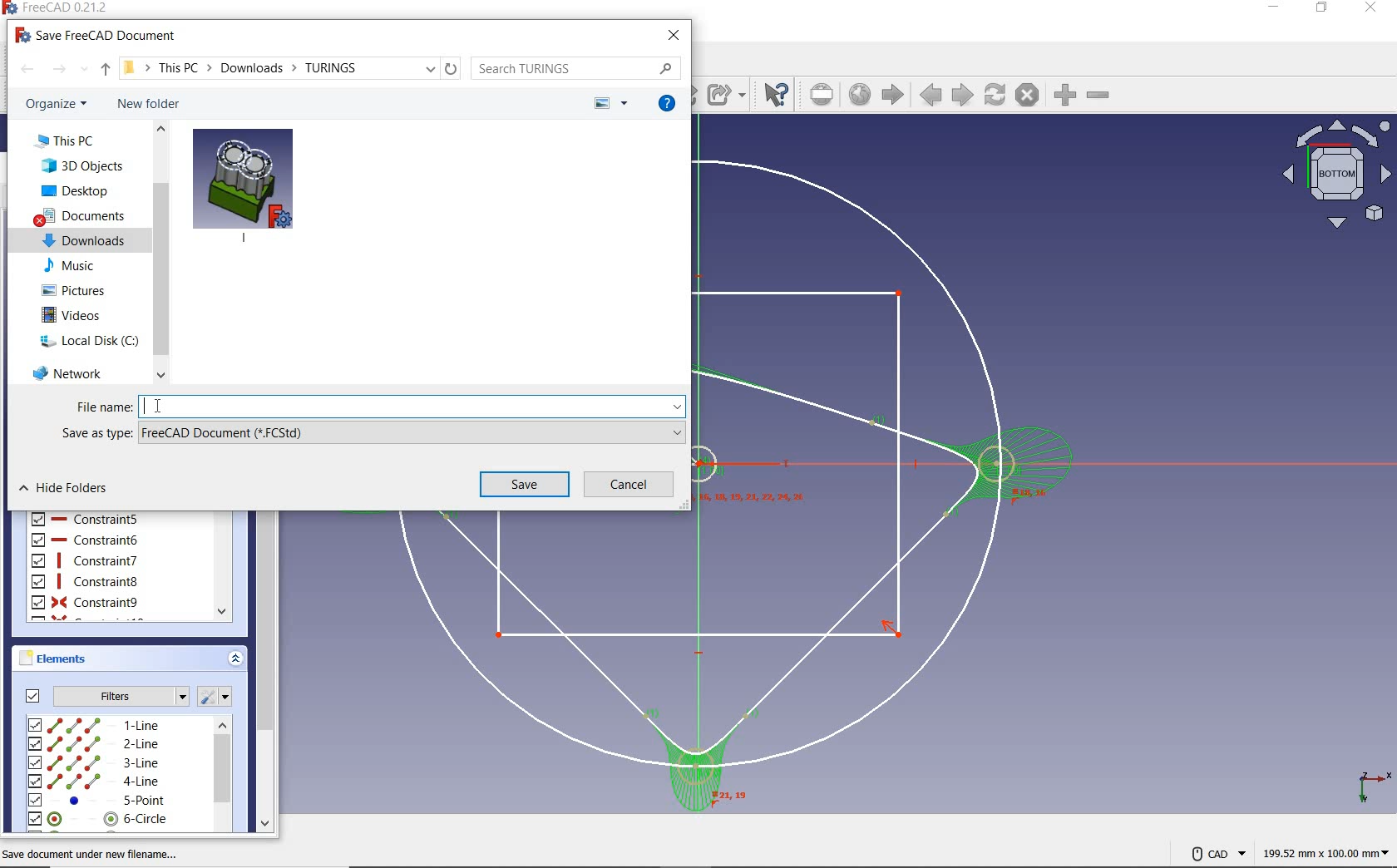 The image size is (1397, 868). I want to click on constraint5, so click(86, 518).